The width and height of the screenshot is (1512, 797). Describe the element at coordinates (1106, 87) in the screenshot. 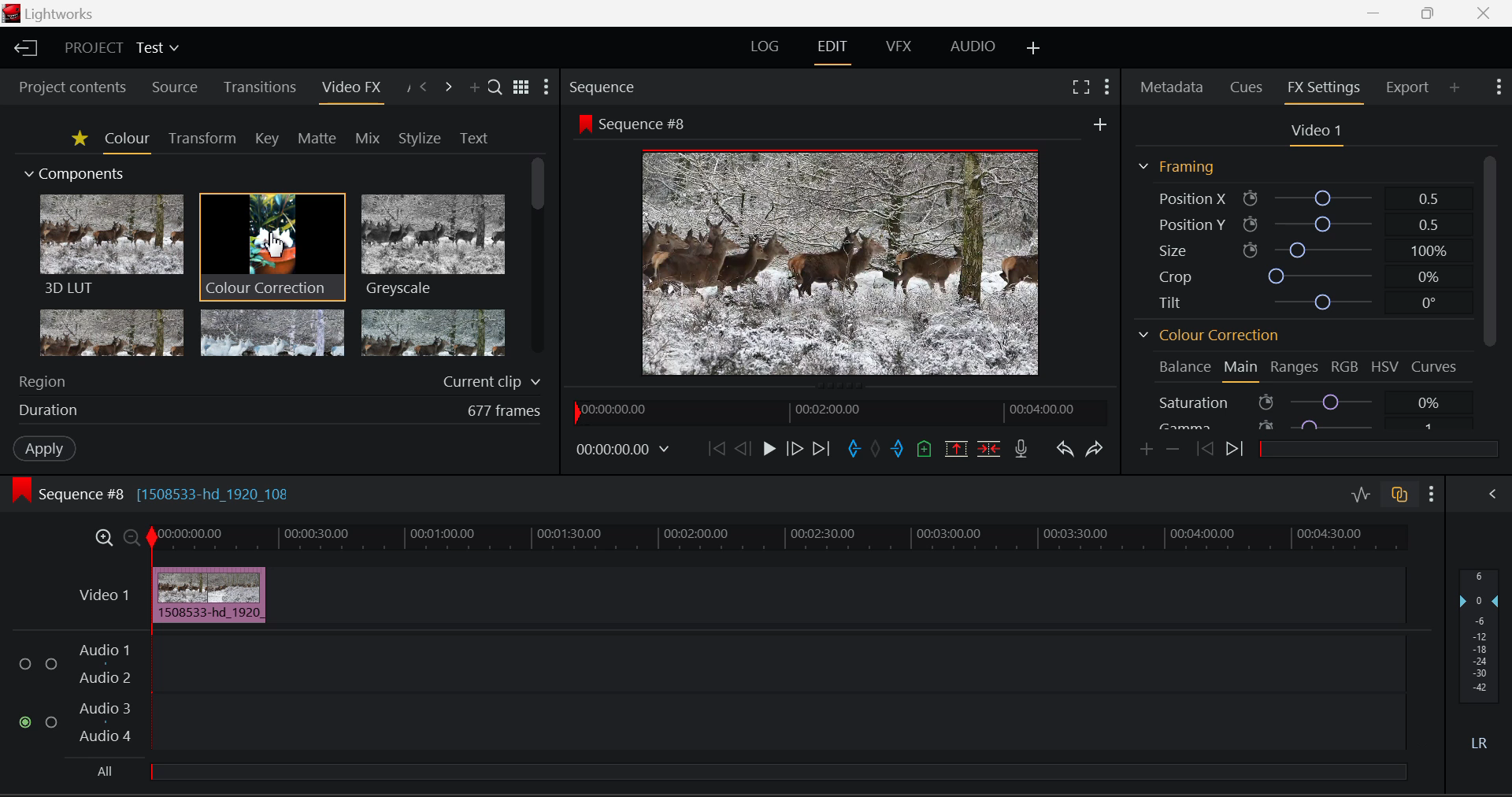

I see `Show Settings` at that location.